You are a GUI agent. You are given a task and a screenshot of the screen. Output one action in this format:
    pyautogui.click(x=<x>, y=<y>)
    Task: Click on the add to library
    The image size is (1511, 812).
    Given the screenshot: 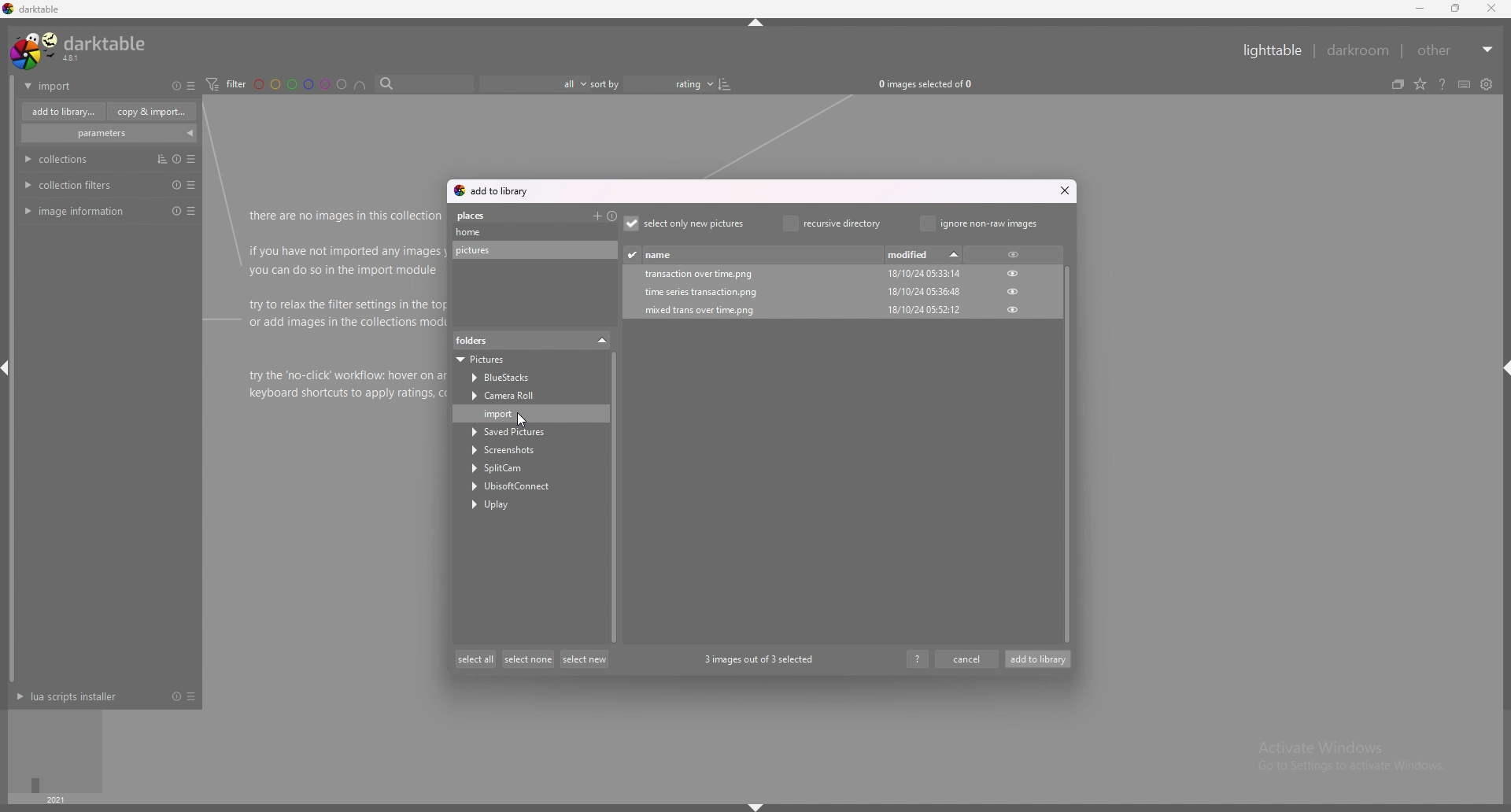 What is the action you would take?
    pyautogui.click(x=494, y=191)
    